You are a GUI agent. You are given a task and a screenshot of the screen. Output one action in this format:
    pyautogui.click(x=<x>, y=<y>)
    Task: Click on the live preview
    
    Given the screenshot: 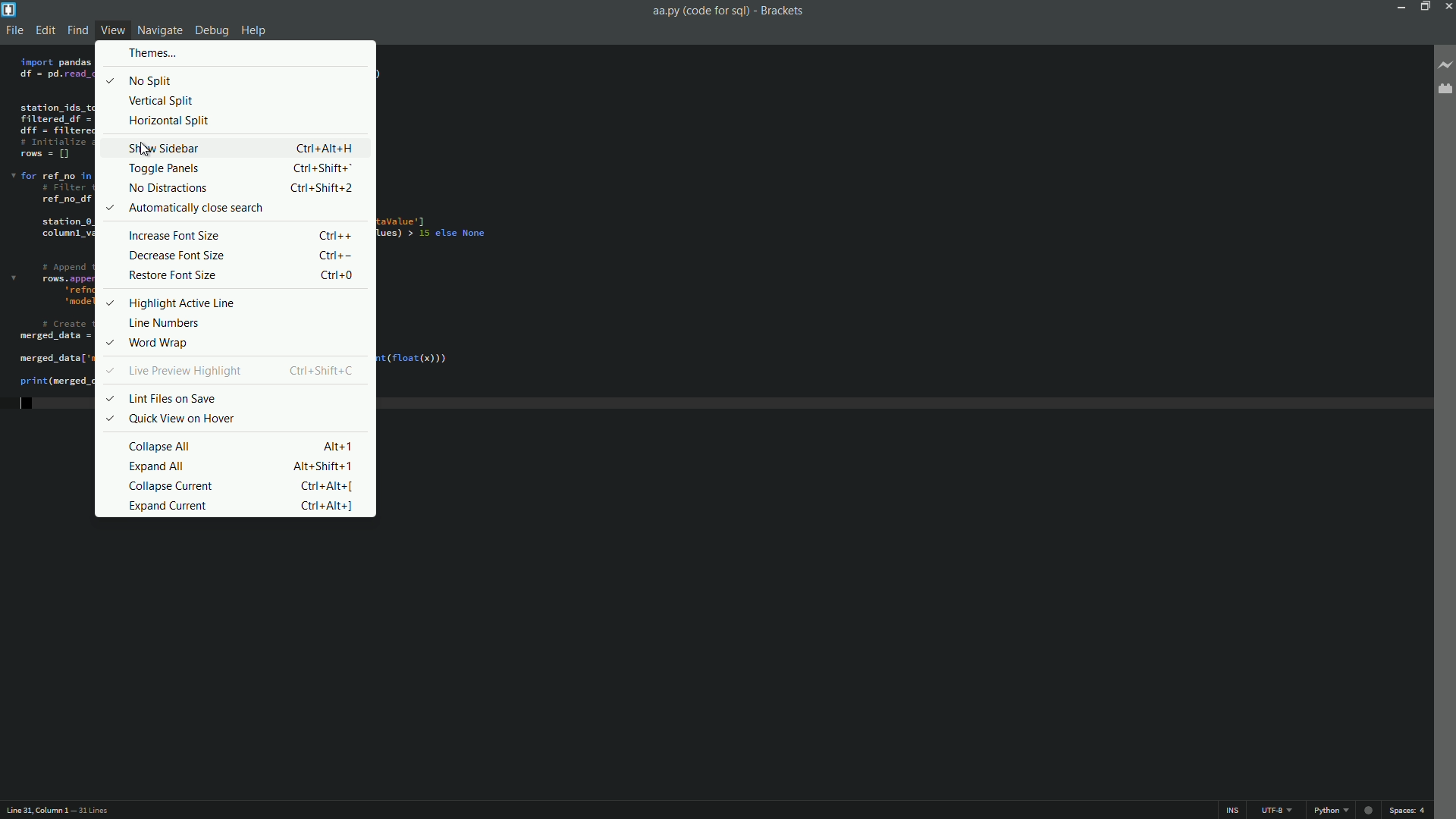 What is the action you would take?
    pyautogui.click(x=1446, y=64)
    